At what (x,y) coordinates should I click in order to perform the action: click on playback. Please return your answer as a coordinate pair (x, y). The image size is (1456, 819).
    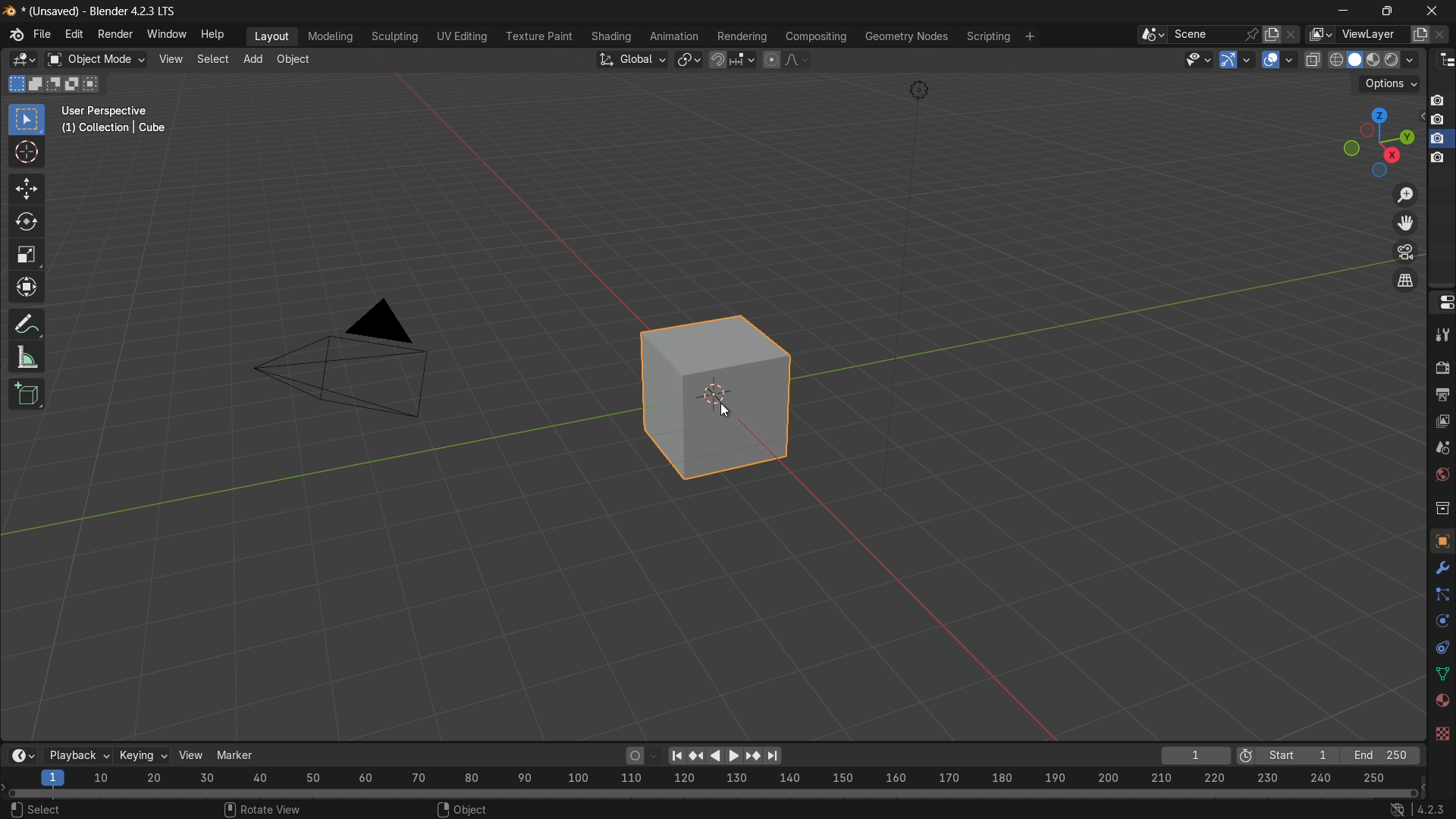
    Looking at the image, I should click on (74, 755).